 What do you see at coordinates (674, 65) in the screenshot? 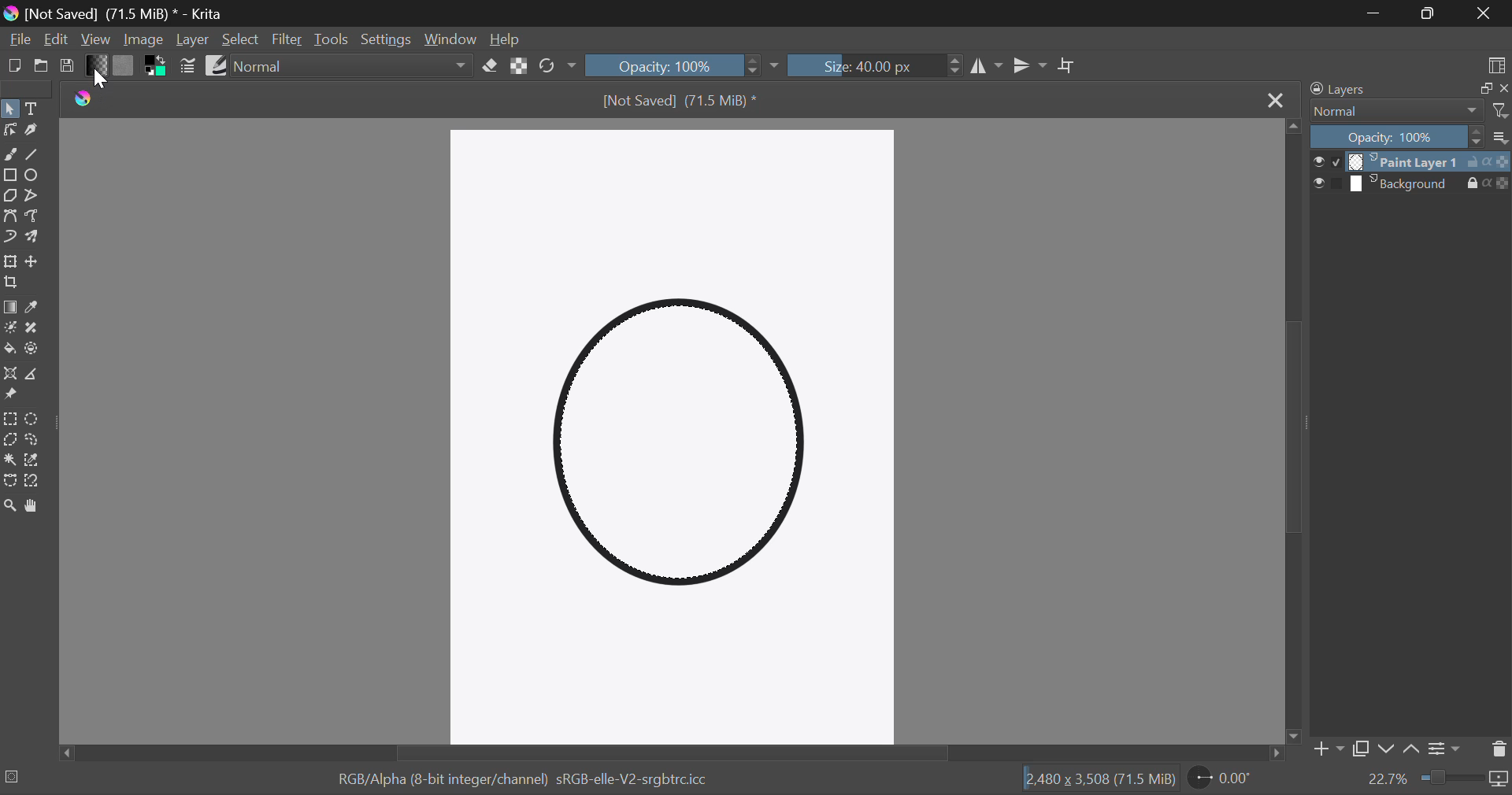
I see `Opacity` at bounding box center [674, 65].